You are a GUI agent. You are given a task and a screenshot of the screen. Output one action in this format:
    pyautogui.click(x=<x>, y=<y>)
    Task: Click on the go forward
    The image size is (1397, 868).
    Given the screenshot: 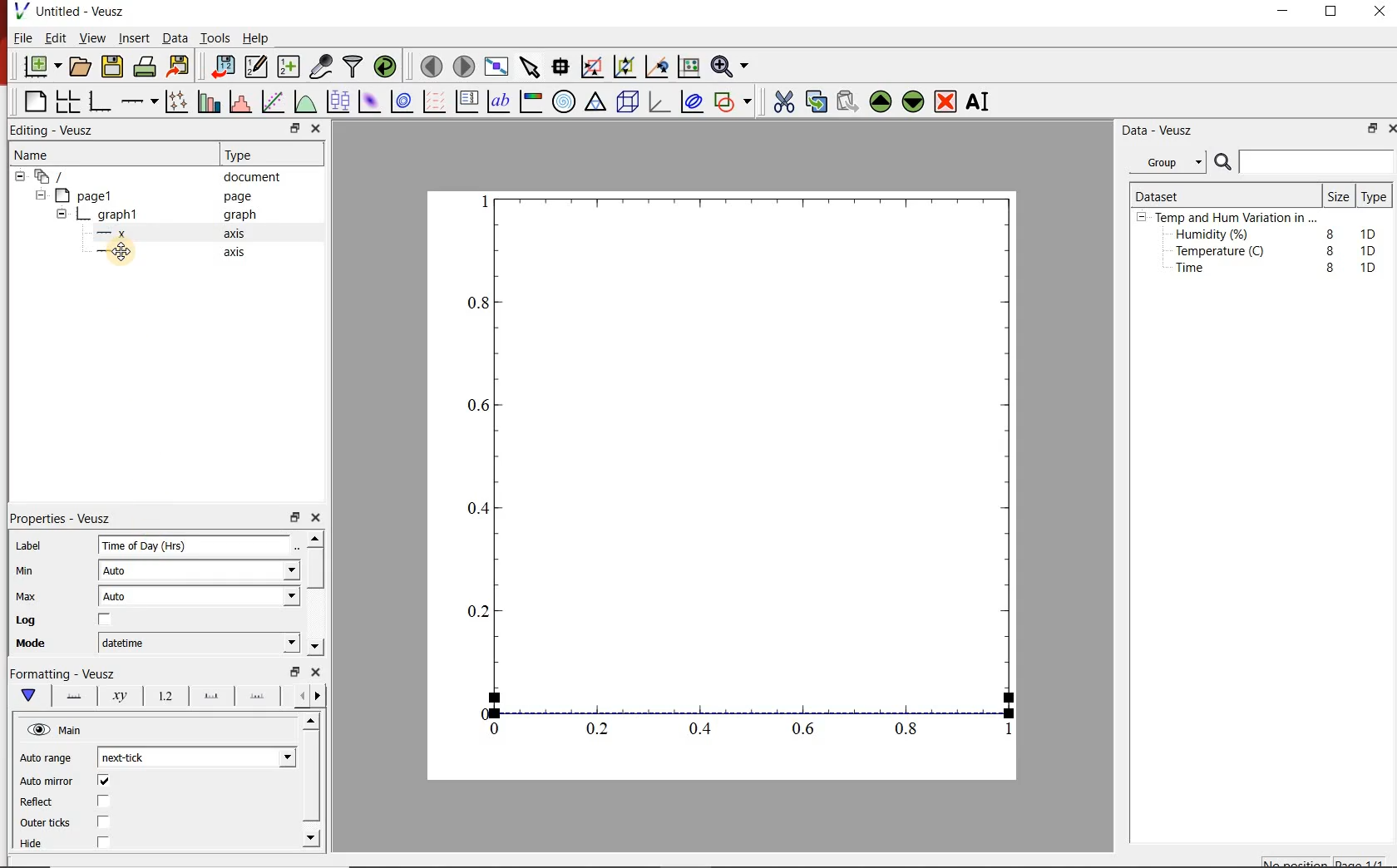 What is the action you would take?
    pyautogui.click(x=321, y=696)
    